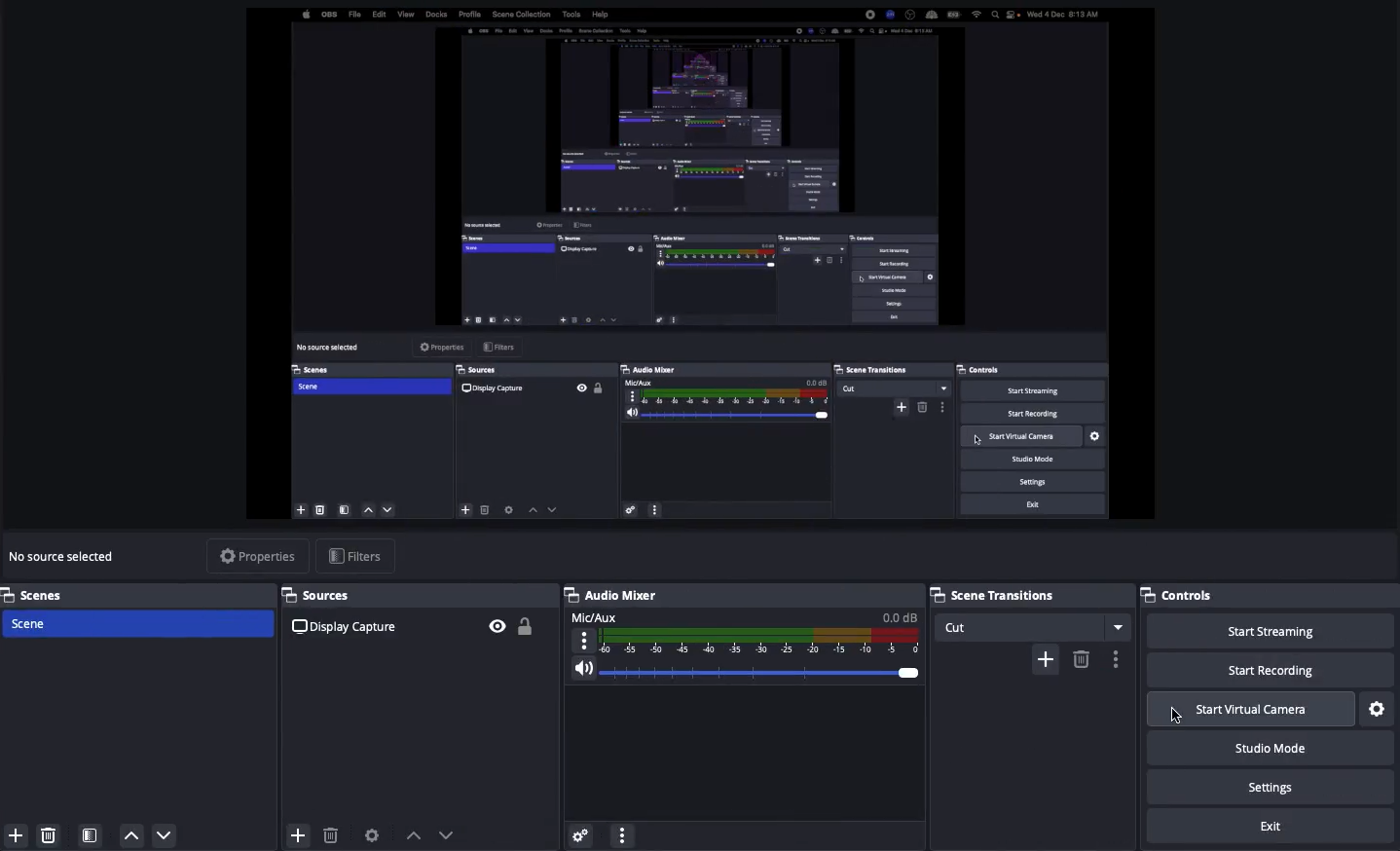 This screenshot has width=1400, height=851. I want to click on Audio mixer, so click(614, 592).